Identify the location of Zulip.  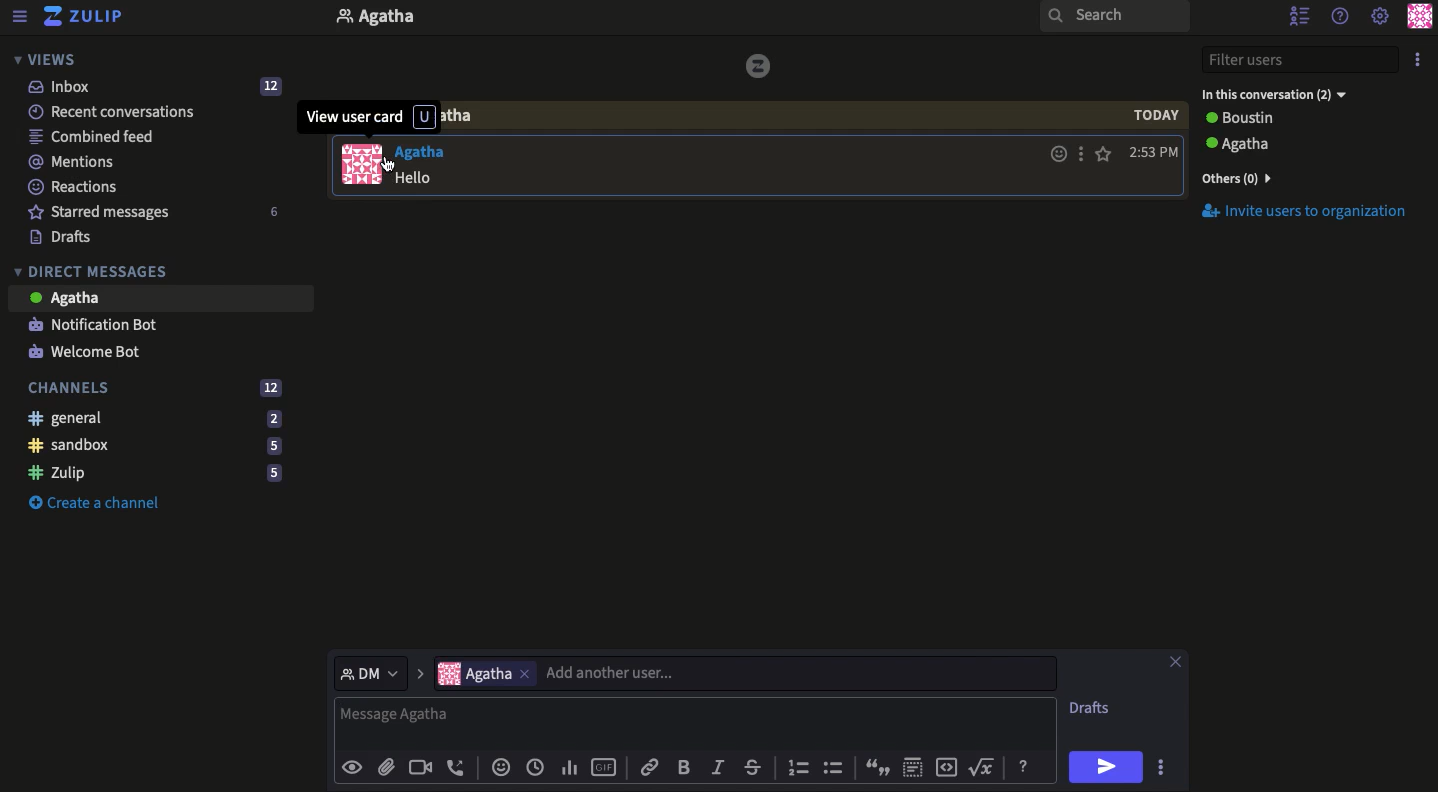
(155, 474).